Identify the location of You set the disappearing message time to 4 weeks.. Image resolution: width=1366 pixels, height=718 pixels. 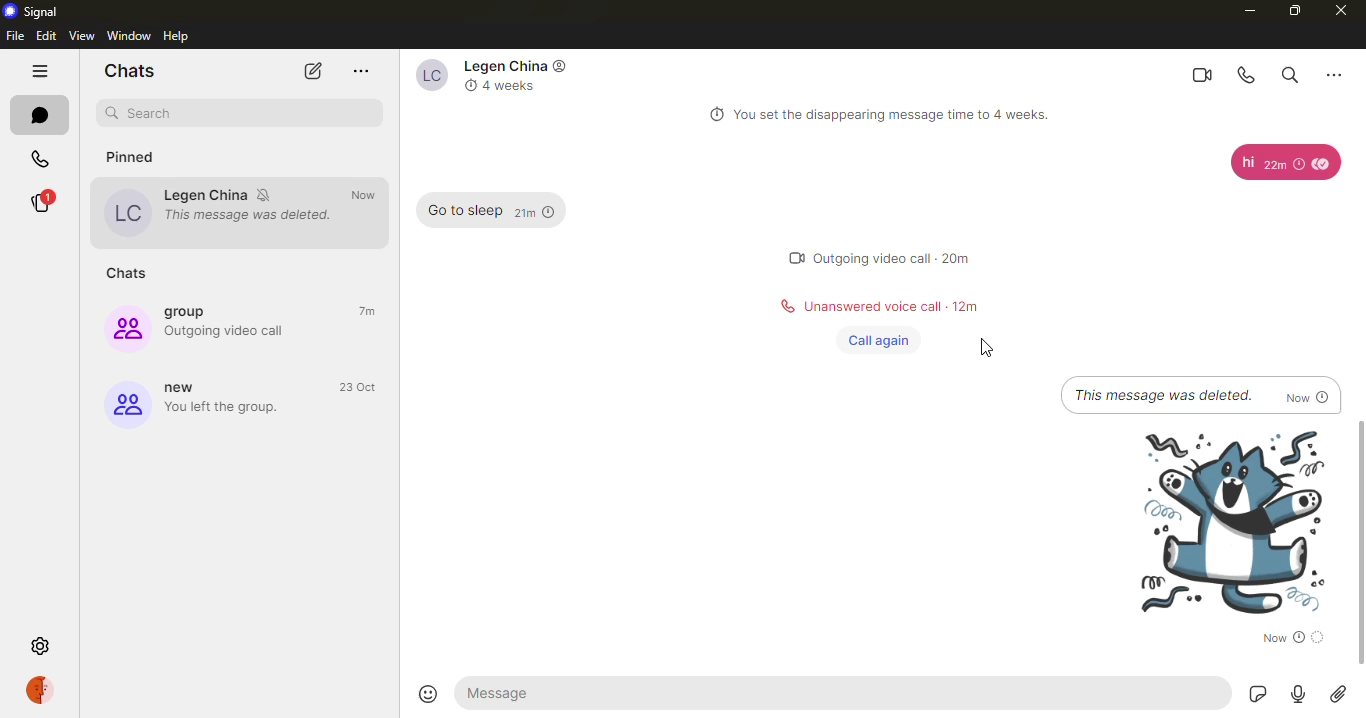
(898, 115).